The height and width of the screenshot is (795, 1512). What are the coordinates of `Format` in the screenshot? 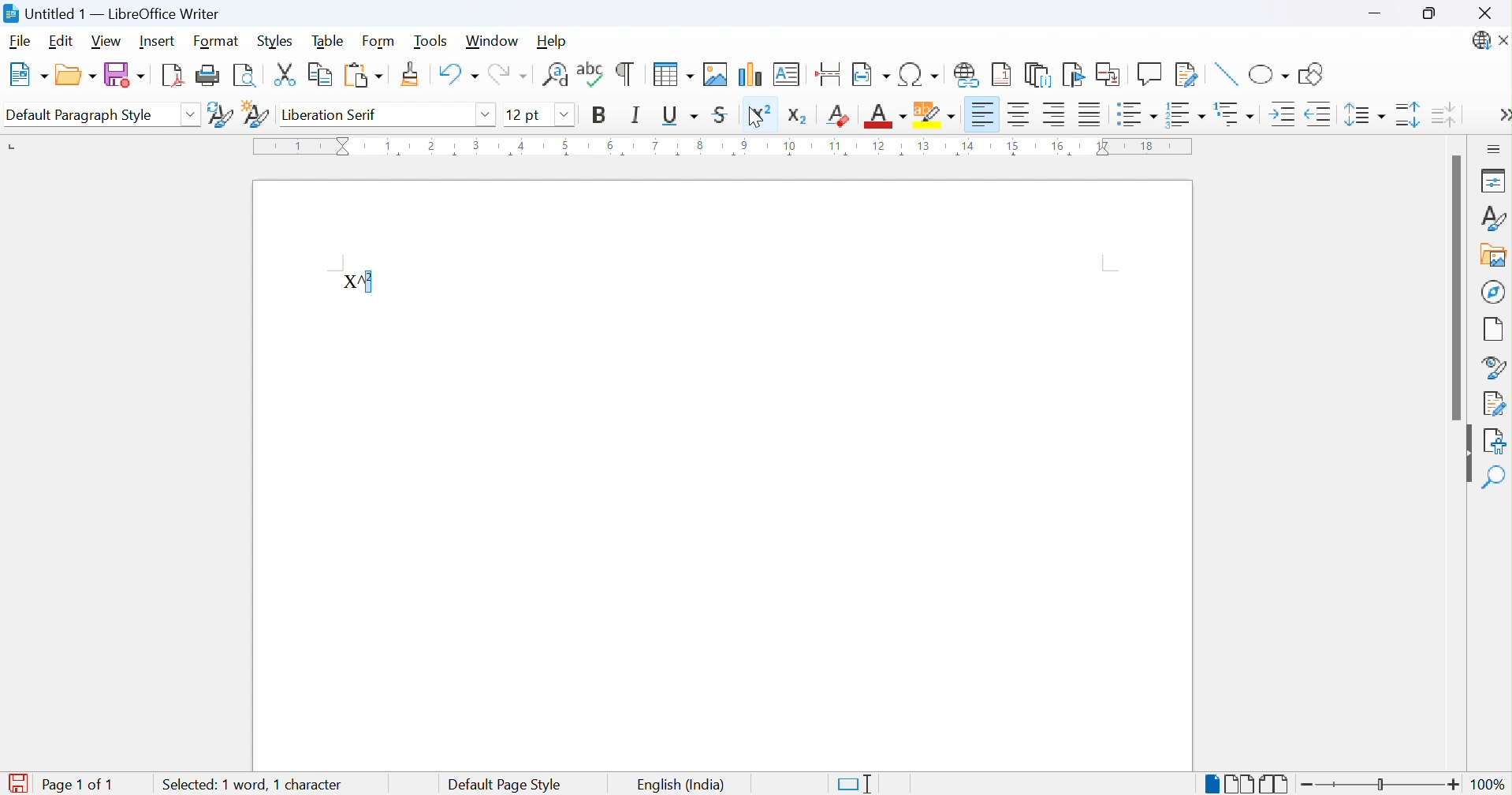 It's located at (214, 42).